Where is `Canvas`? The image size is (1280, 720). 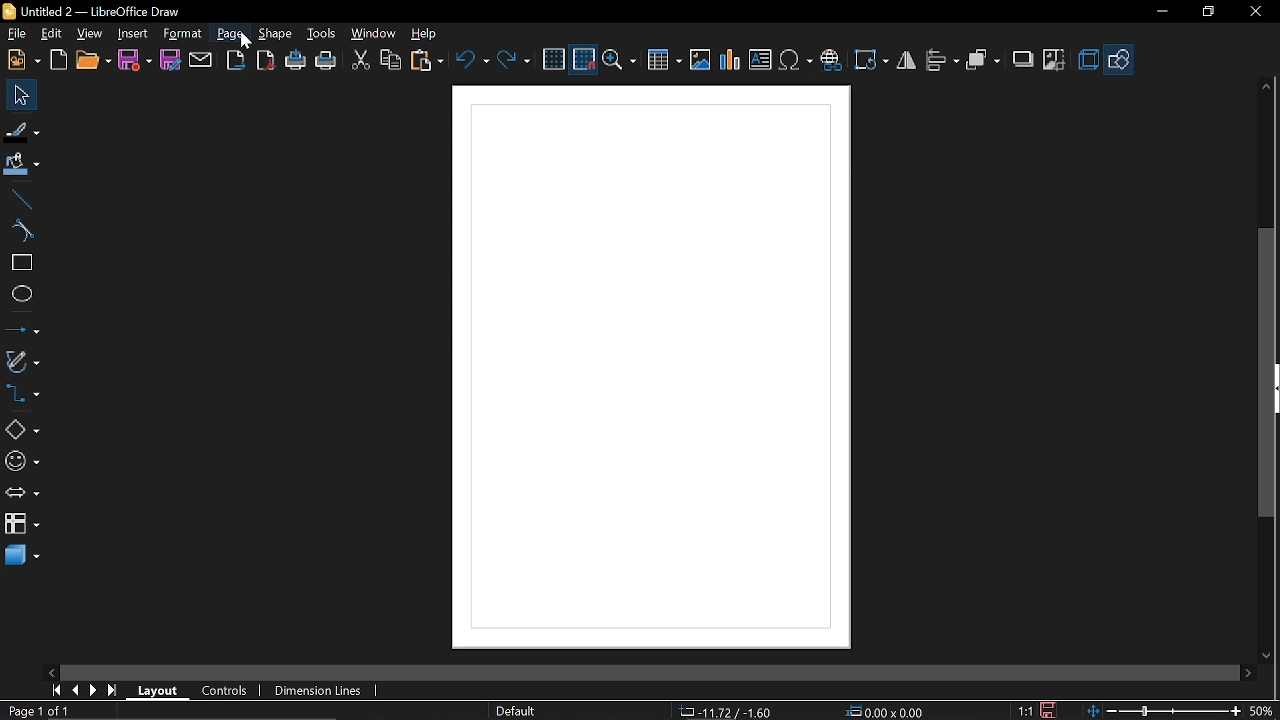 Canvas is located at coordinates (651, 368).